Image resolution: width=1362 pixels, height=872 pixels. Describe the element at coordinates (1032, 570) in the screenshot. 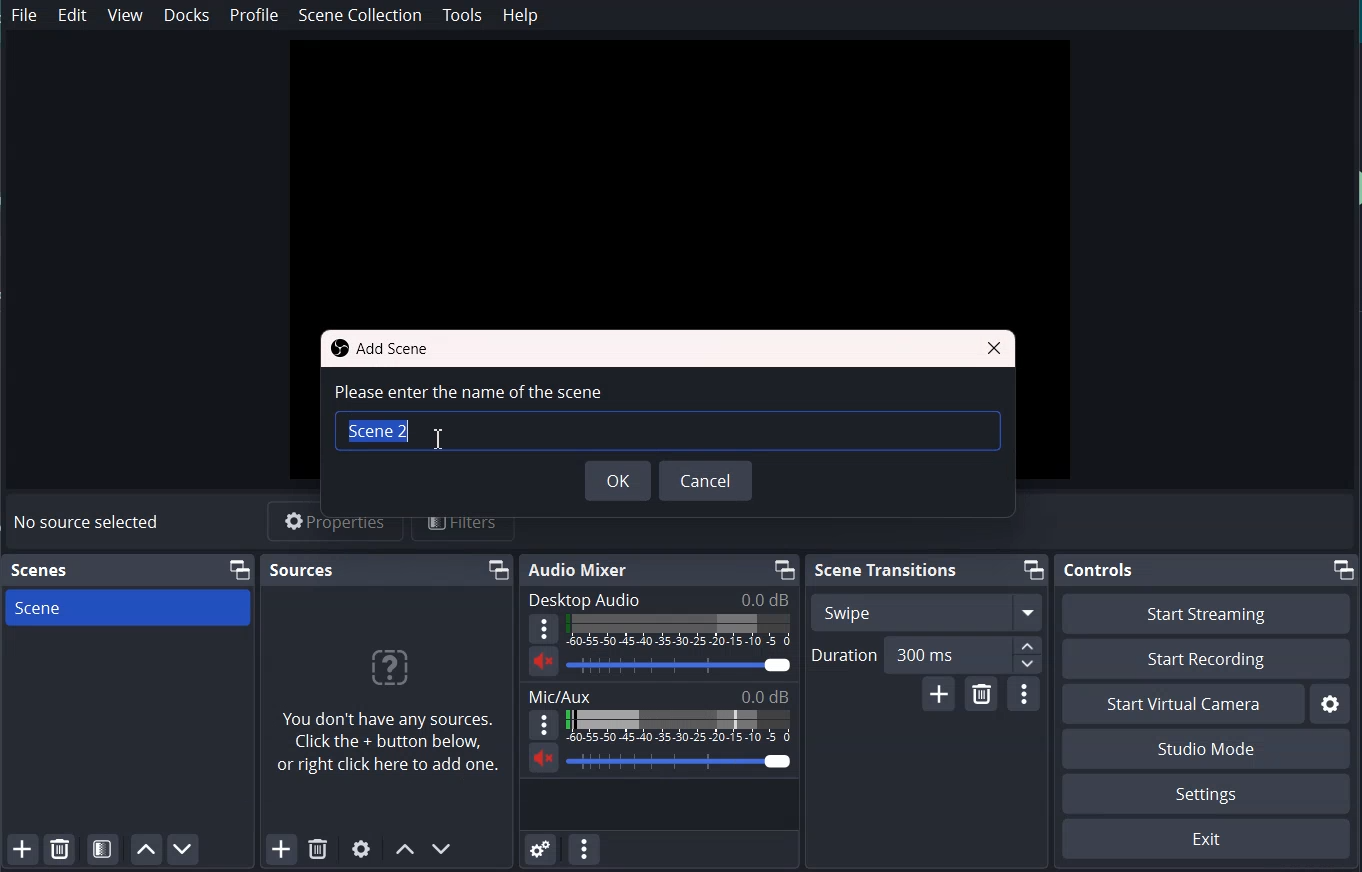

I see `Maximize` at that location.